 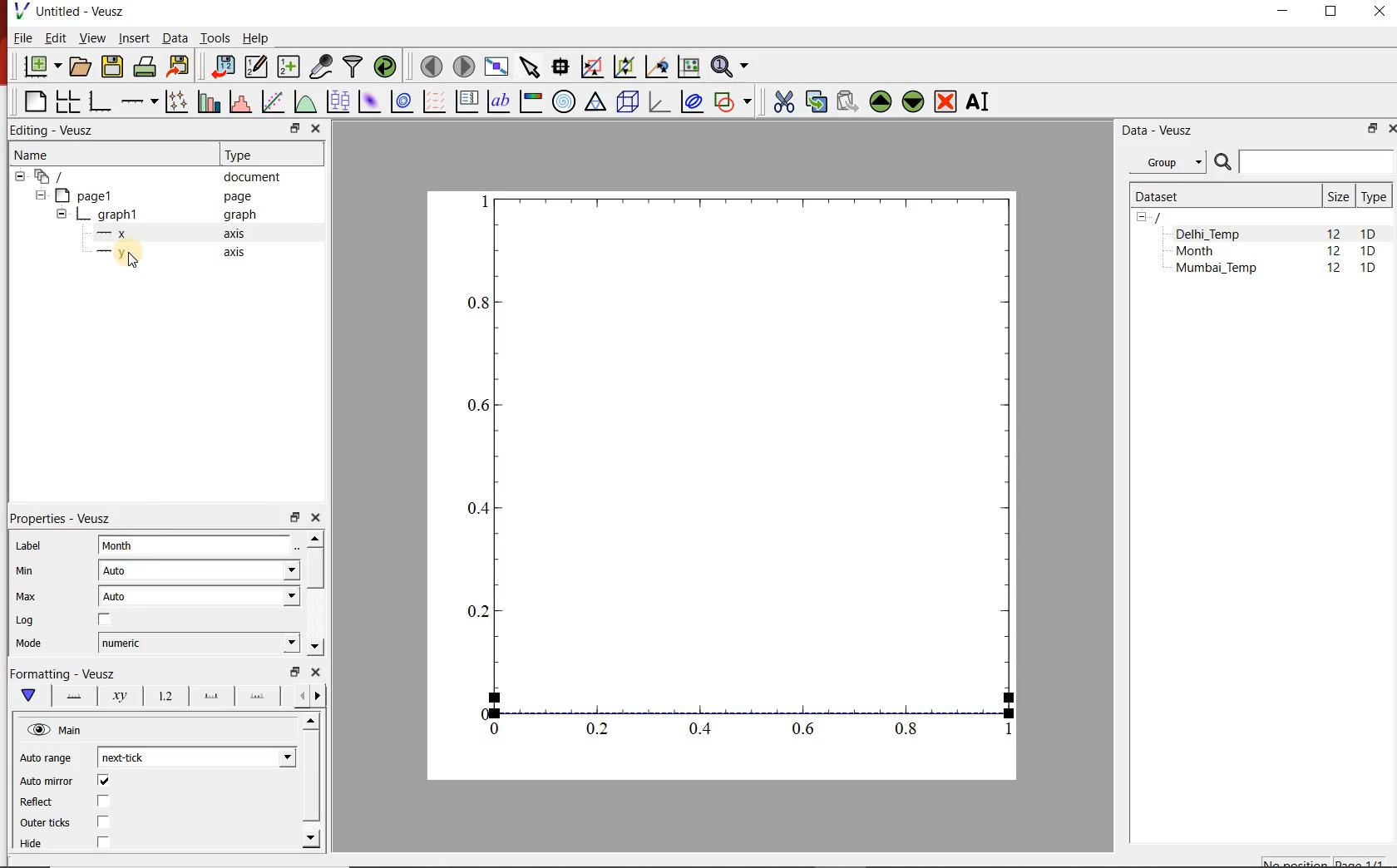 What do you see at coordinates (1390, 129) in the screenshot?
I see `CLOSE` at bounding box center [1390, 129].